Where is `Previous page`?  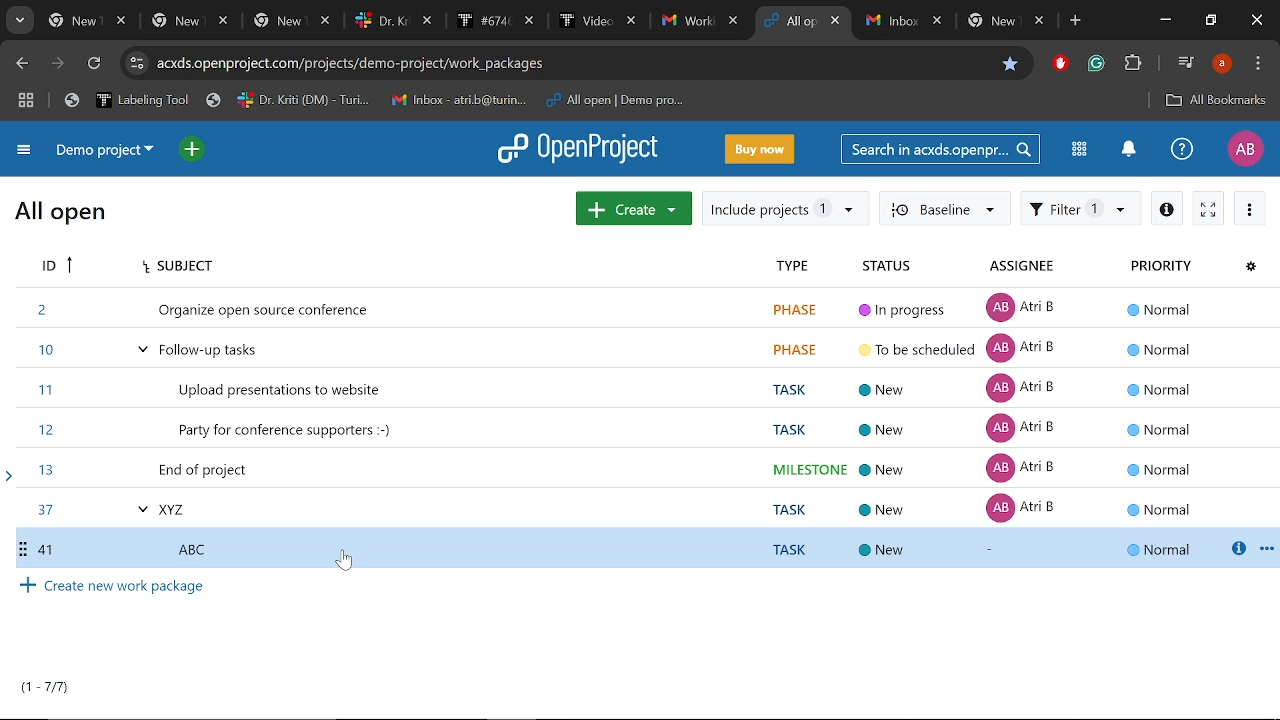 Previous page is located at coordinates (23, 64).